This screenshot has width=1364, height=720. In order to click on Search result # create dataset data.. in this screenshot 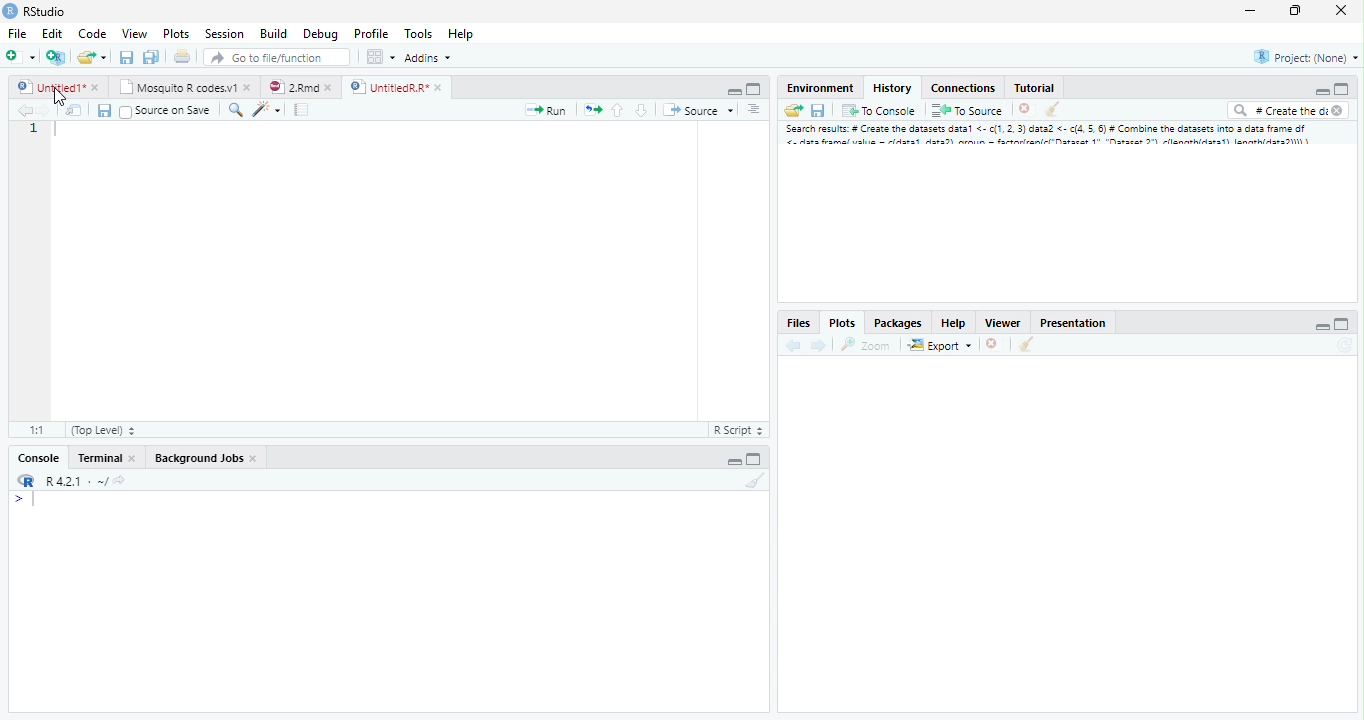, I will do `click(1052, 137)`.